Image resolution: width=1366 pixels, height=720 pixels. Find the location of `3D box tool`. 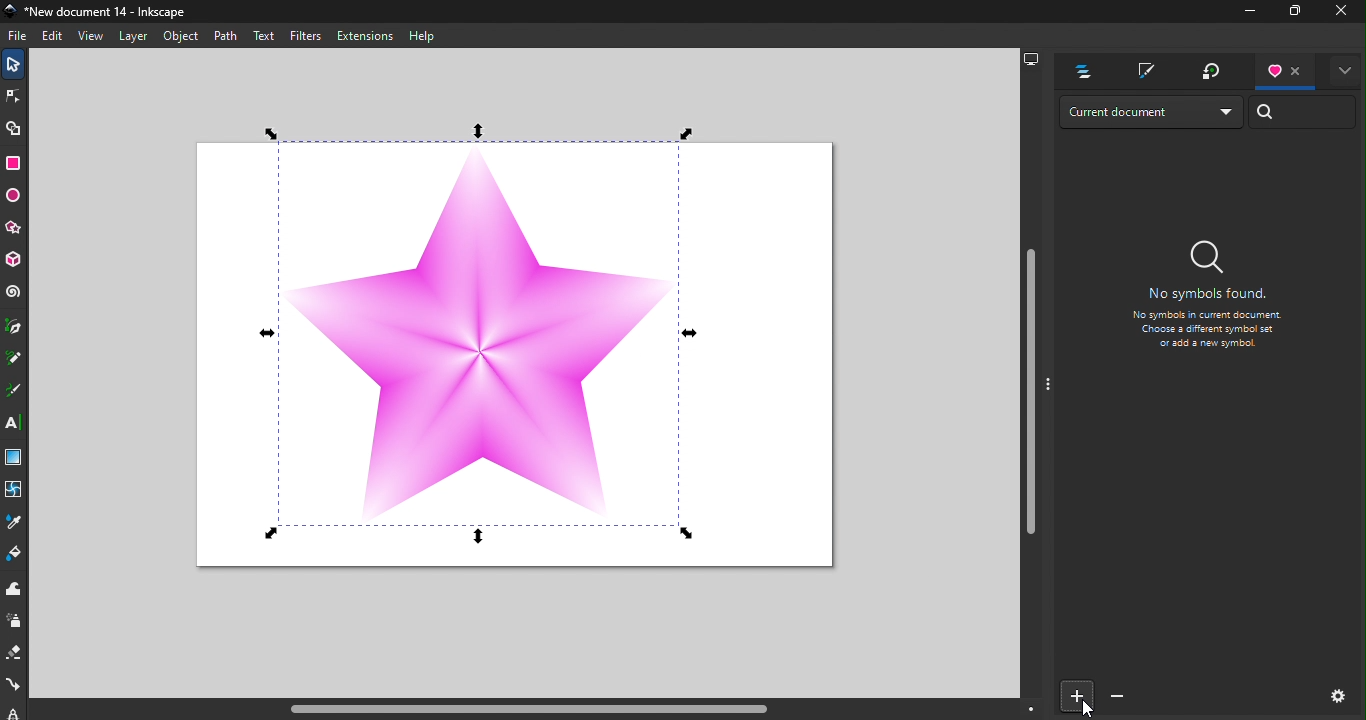

3D box tool is located at coordinates (18, 261).